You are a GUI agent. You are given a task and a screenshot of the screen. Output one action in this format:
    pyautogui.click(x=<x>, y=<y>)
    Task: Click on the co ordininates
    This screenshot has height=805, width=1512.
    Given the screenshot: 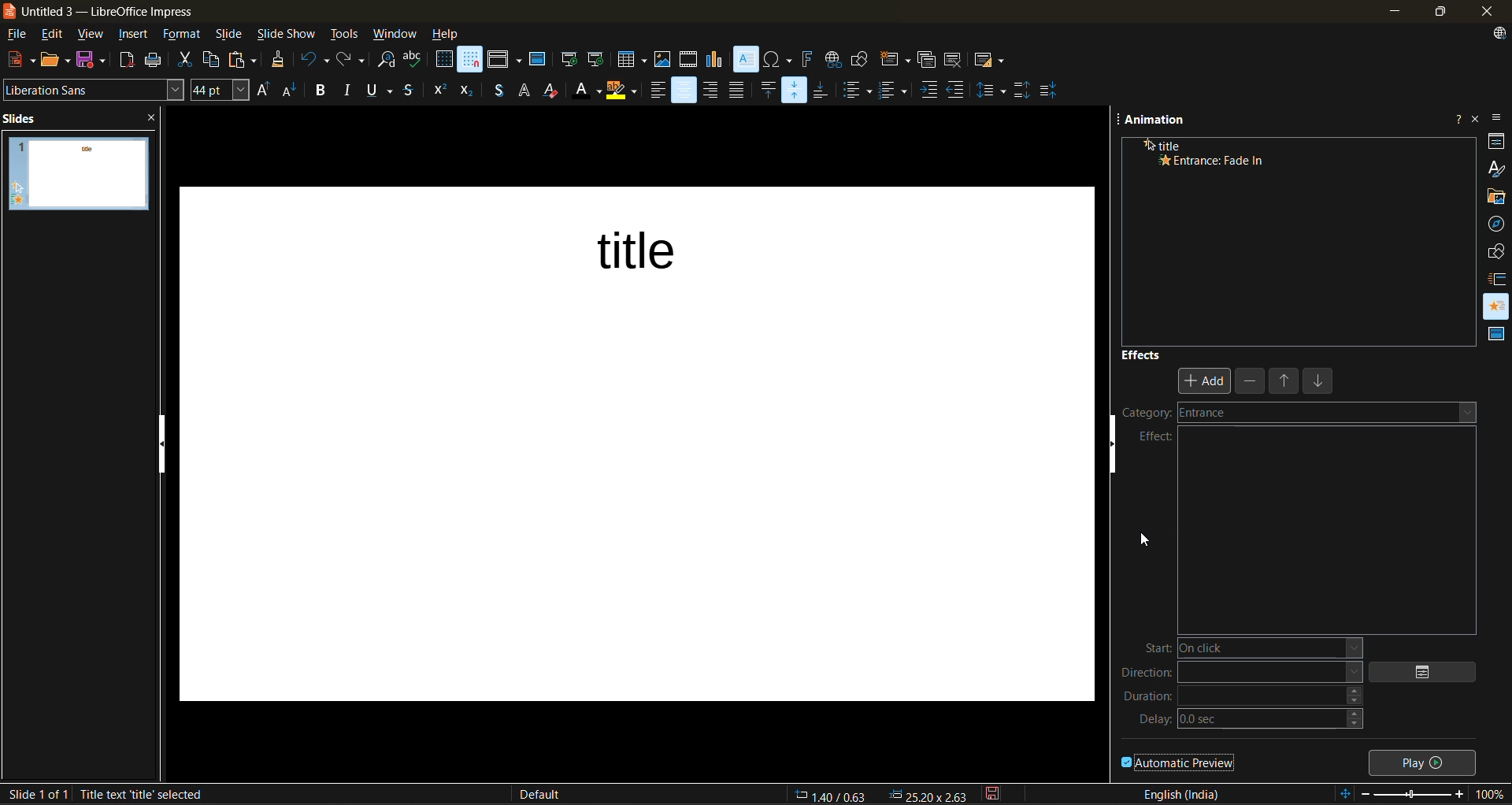 What is the action you would take?
    pyautogui.click(x=881, y=793)
    